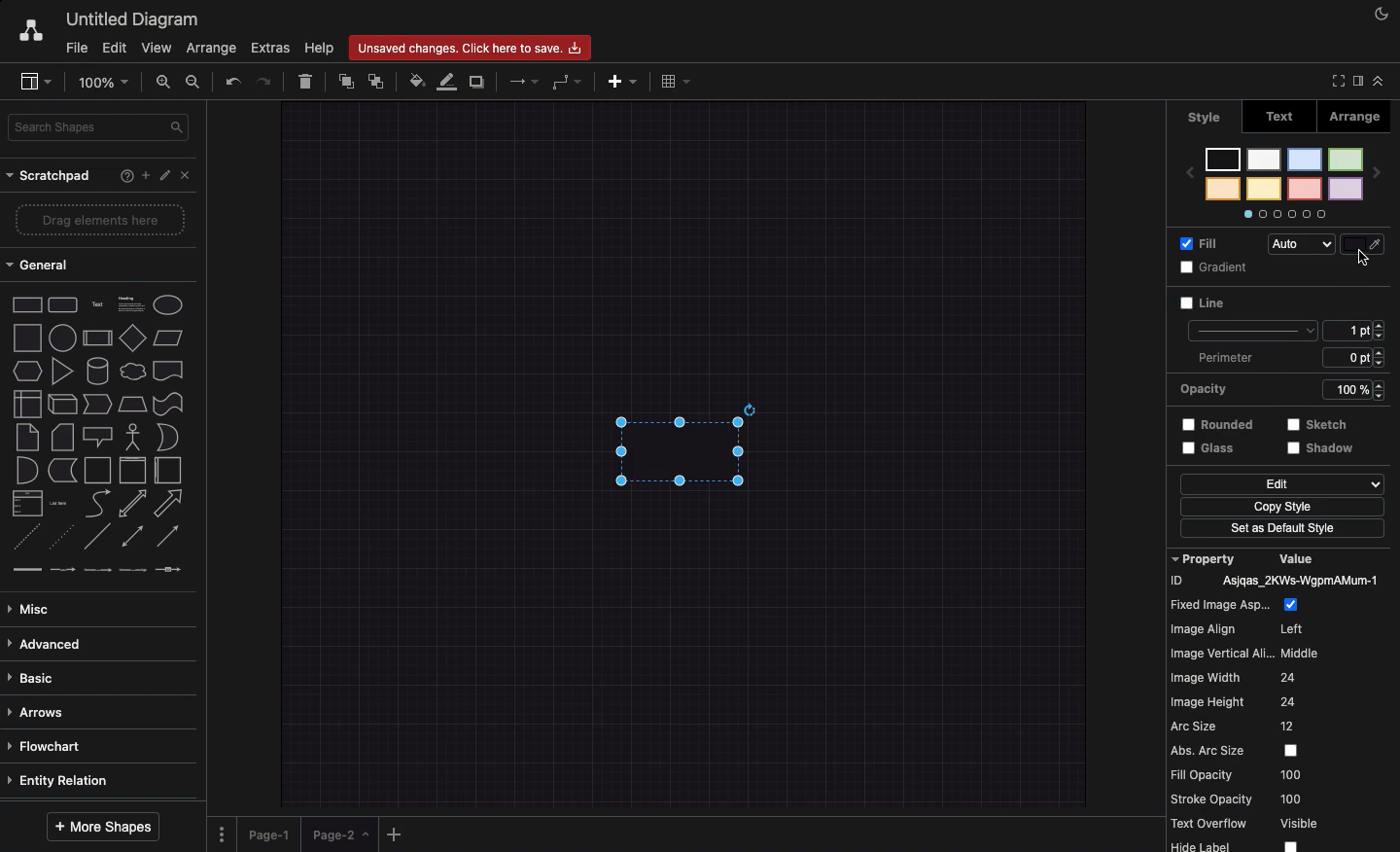 Image resolution: width=1400 pixels, height=852 pixels. Describe the element at coordinates (61, 436) in the screenshot. I see `card` at that location.